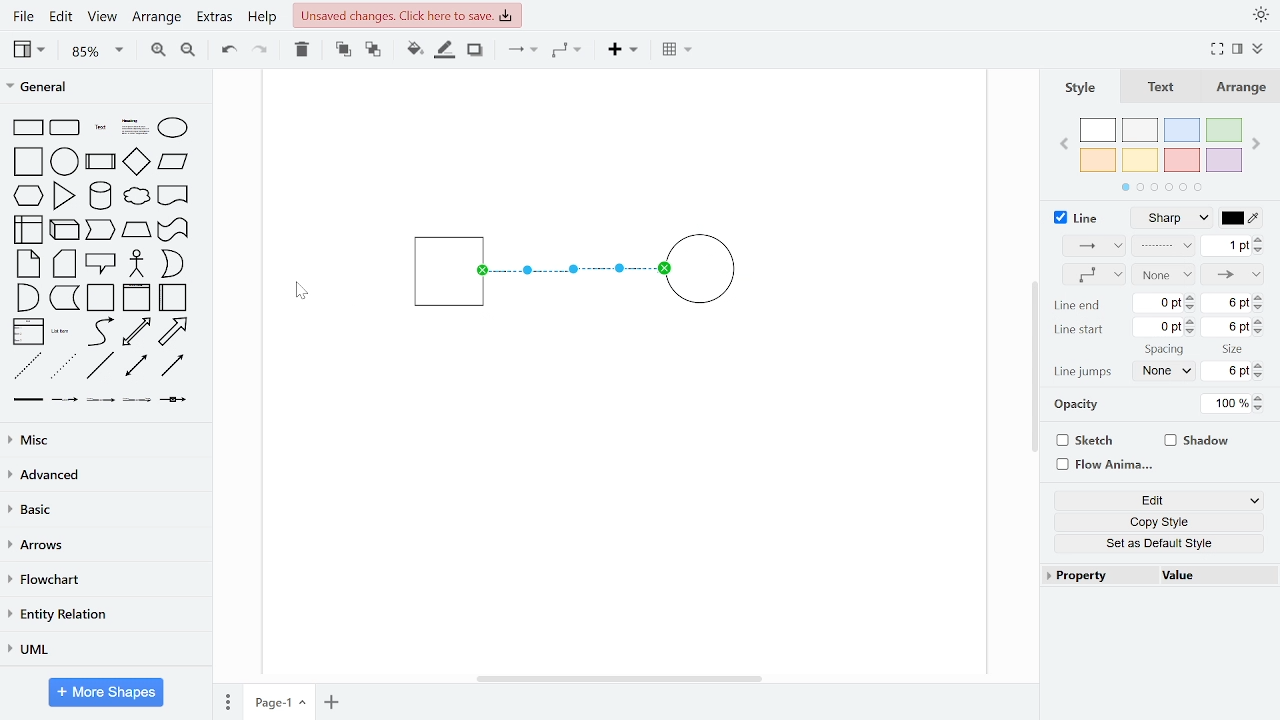 Image resolution: width=1280 pixels, height=720 pixels. What do you see at coordinates (65, 297) in the screenshot?
I see `data storage` at bounding box center [65, 297].